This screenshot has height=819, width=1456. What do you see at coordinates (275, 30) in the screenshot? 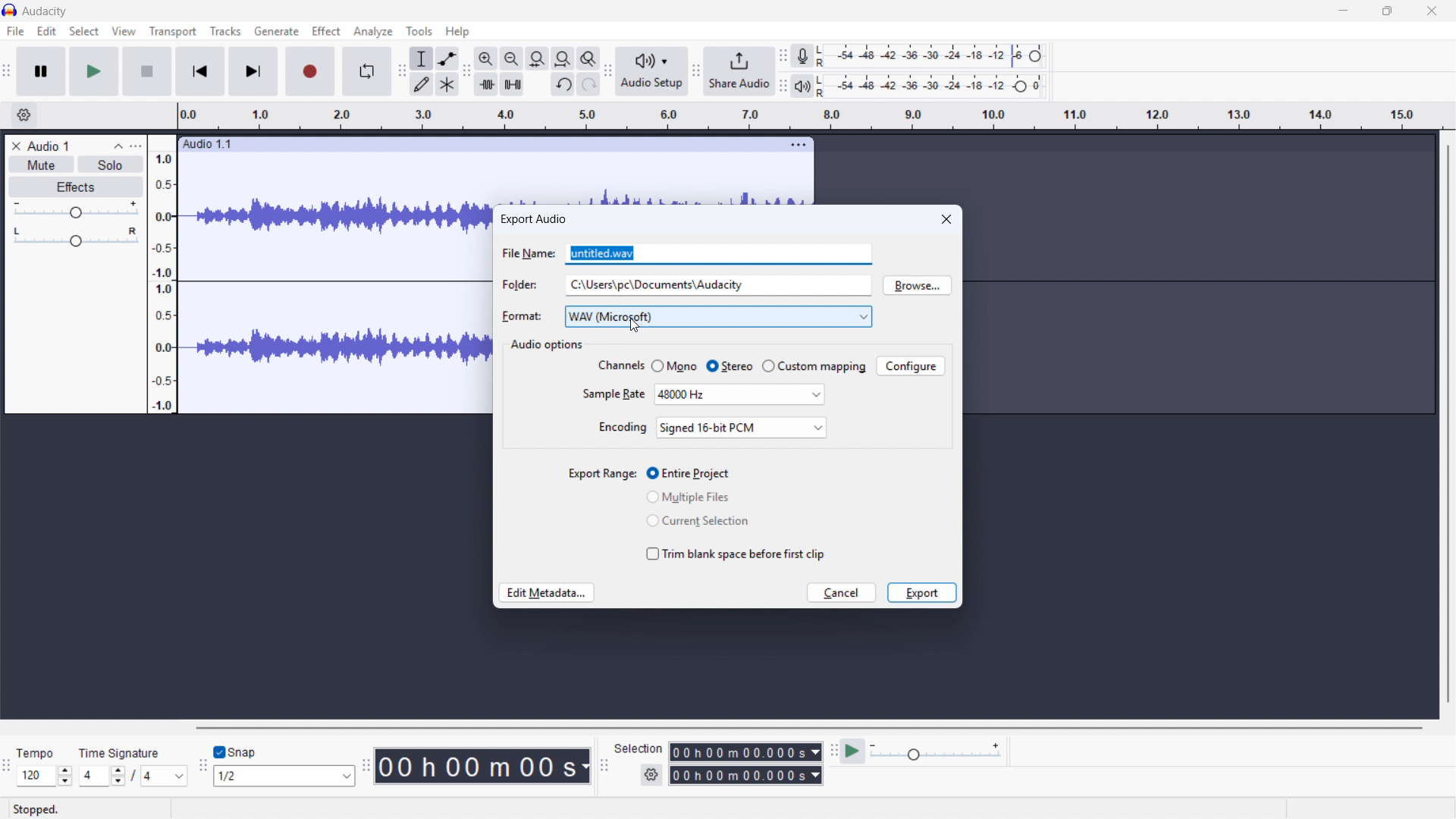
I see `Generate ` at bounding box center [275, 30].